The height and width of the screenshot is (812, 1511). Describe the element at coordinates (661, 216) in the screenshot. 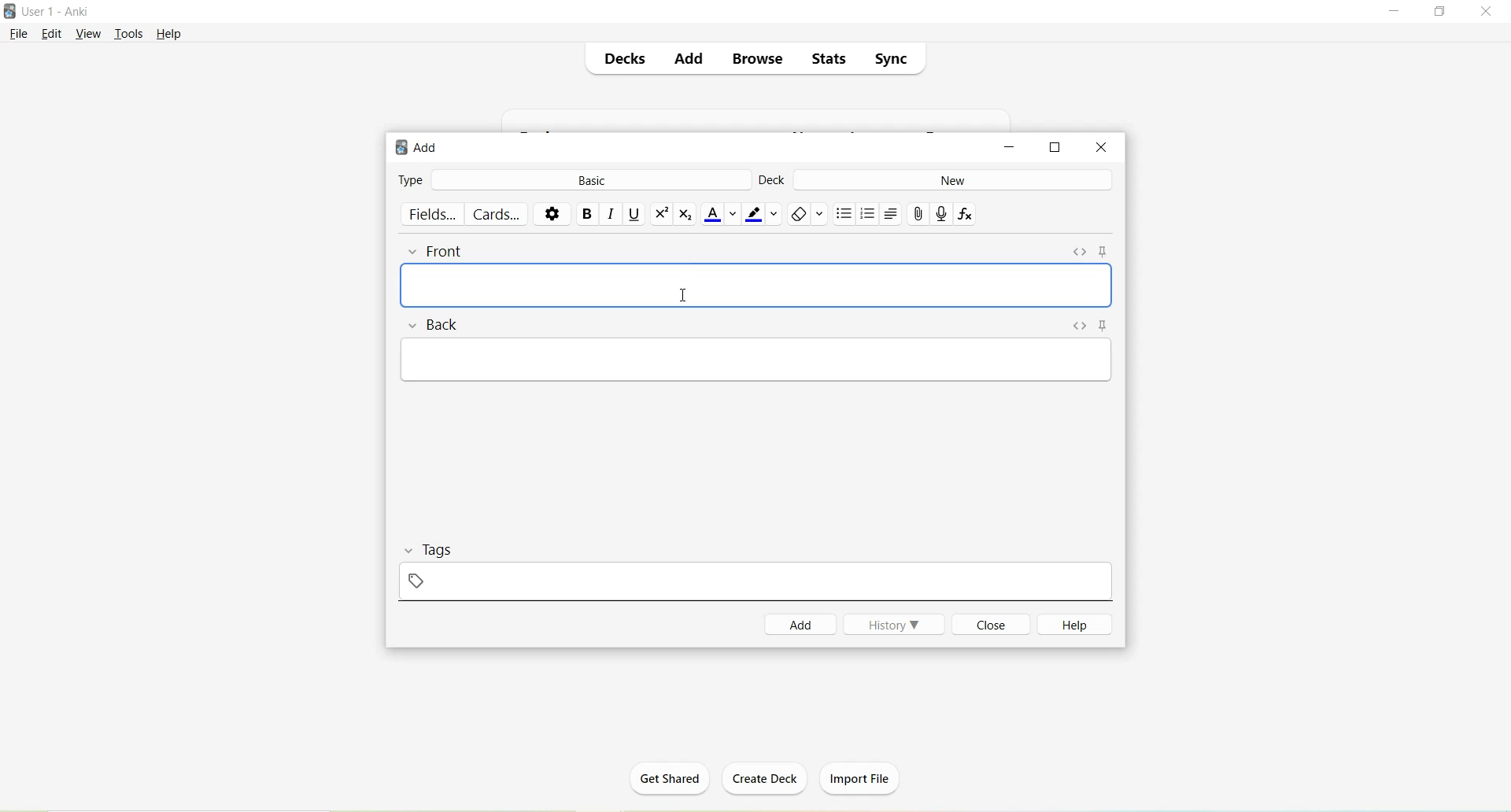

I see `Superscript` at that location.